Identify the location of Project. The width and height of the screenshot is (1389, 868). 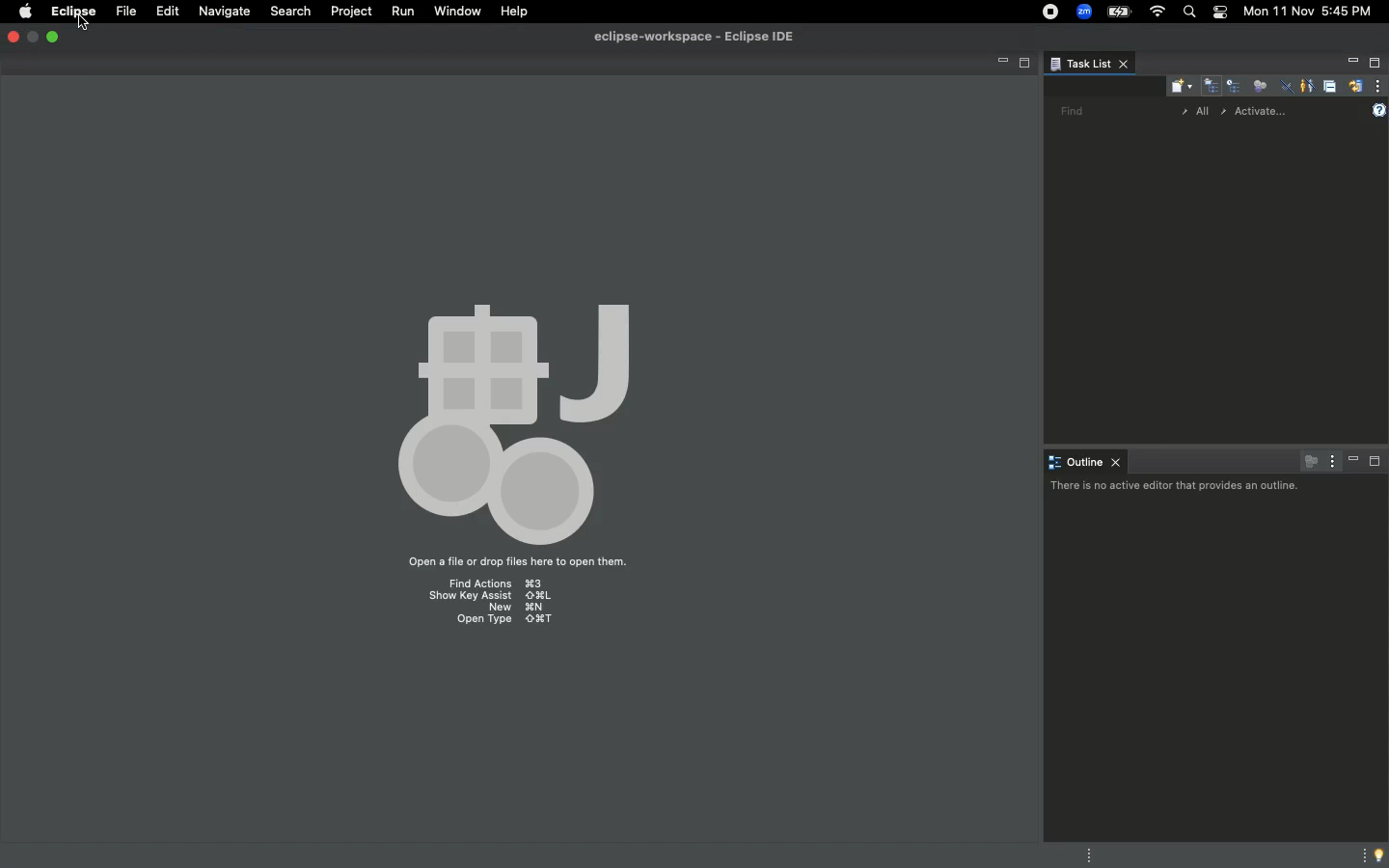
(351, 11).